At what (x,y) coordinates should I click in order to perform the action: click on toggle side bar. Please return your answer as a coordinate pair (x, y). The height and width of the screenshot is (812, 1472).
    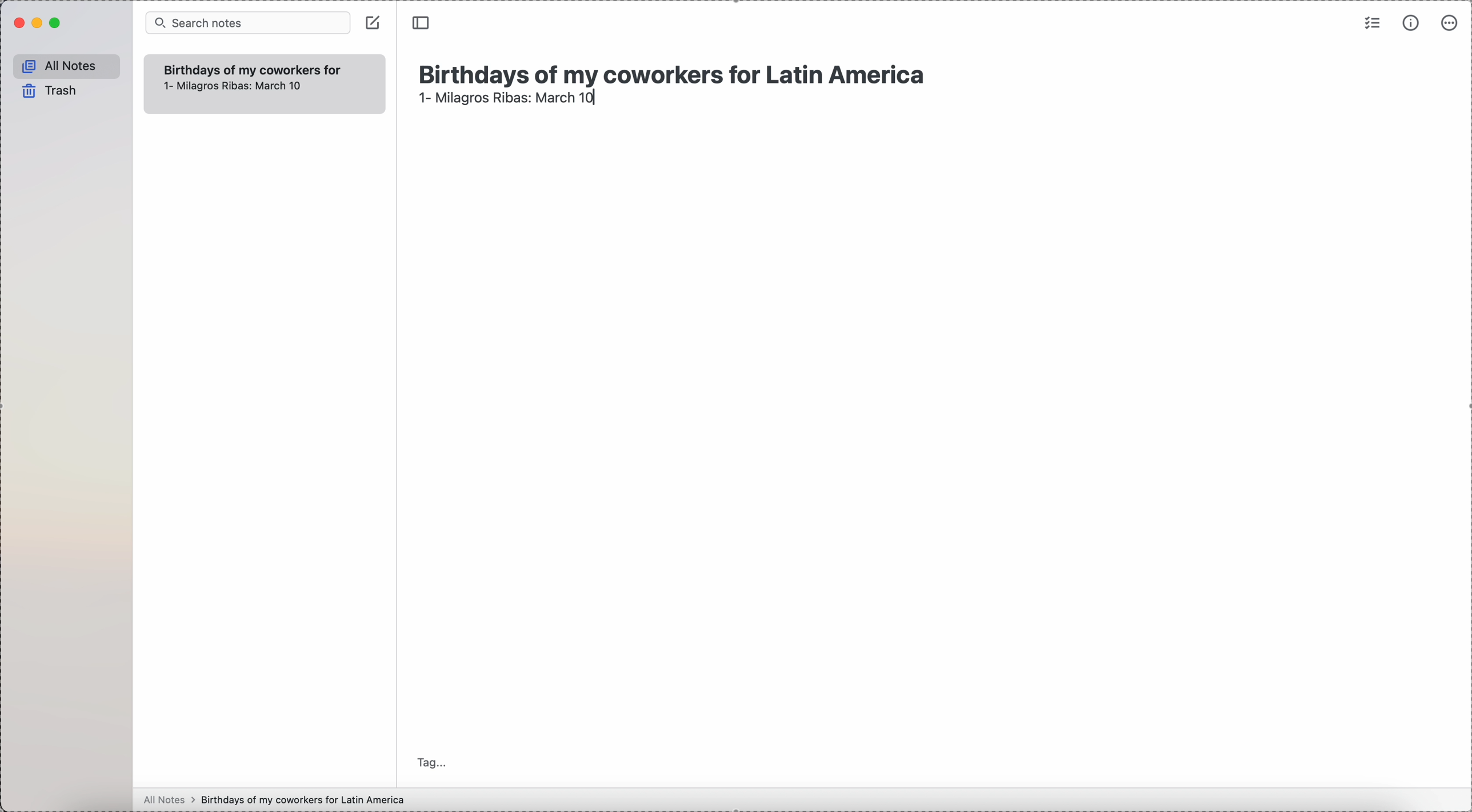
    Looking at the image, I should click on (422, 23).